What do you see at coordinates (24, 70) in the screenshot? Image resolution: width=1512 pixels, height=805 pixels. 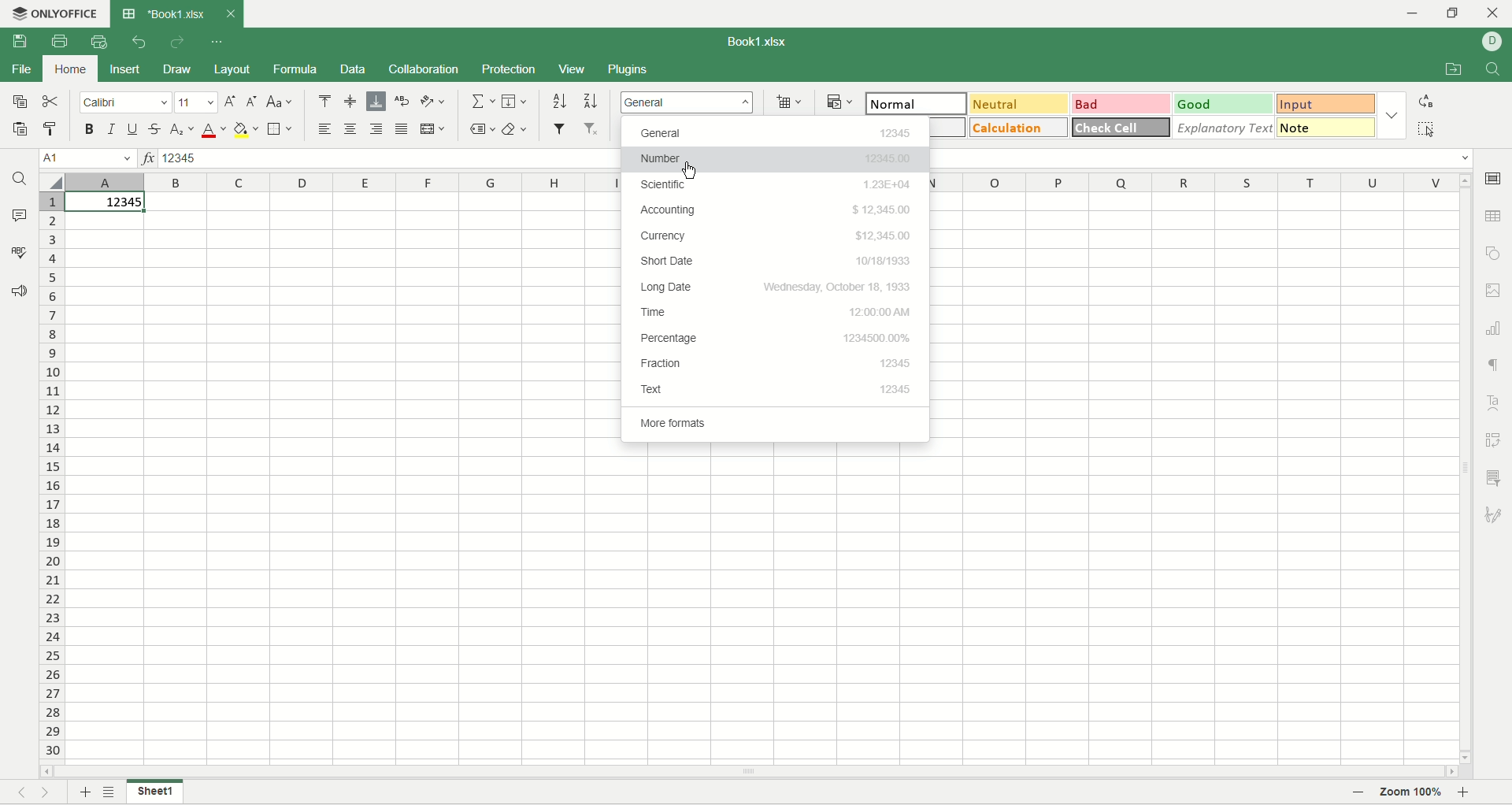 I see `file` at bounding box center [24, 70].